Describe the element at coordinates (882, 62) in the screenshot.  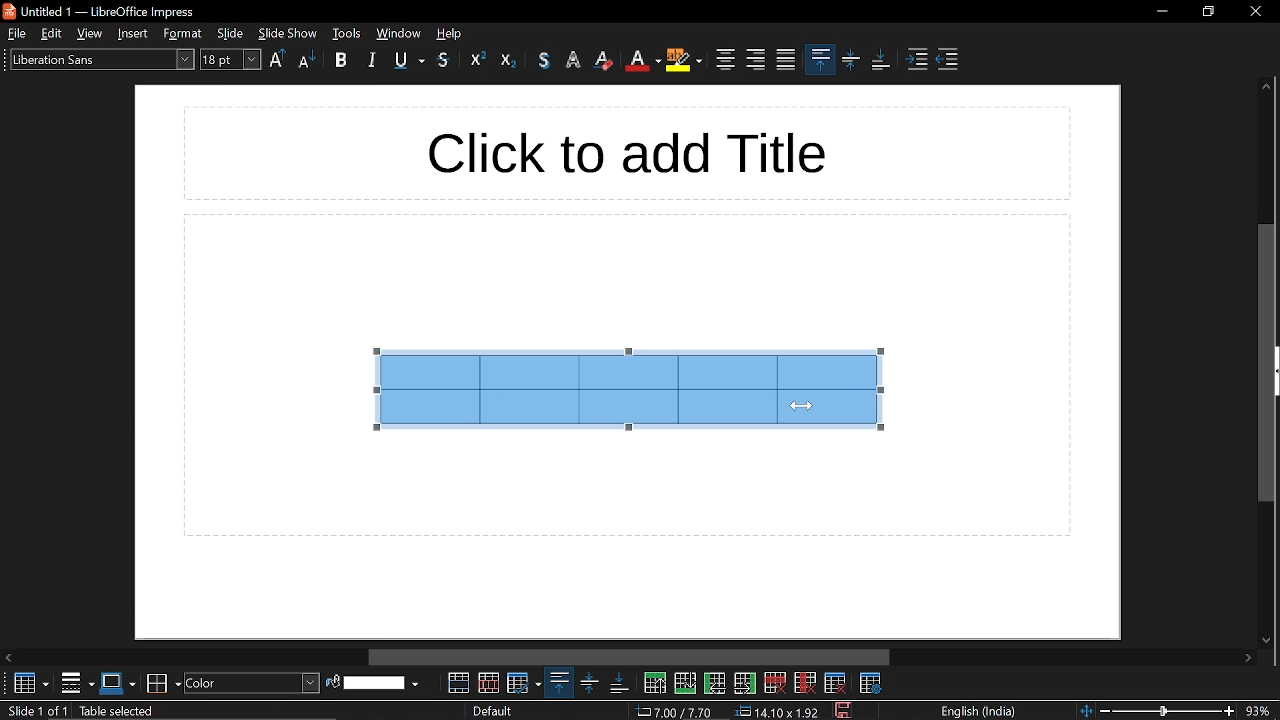
I see `align bottom` at that location.